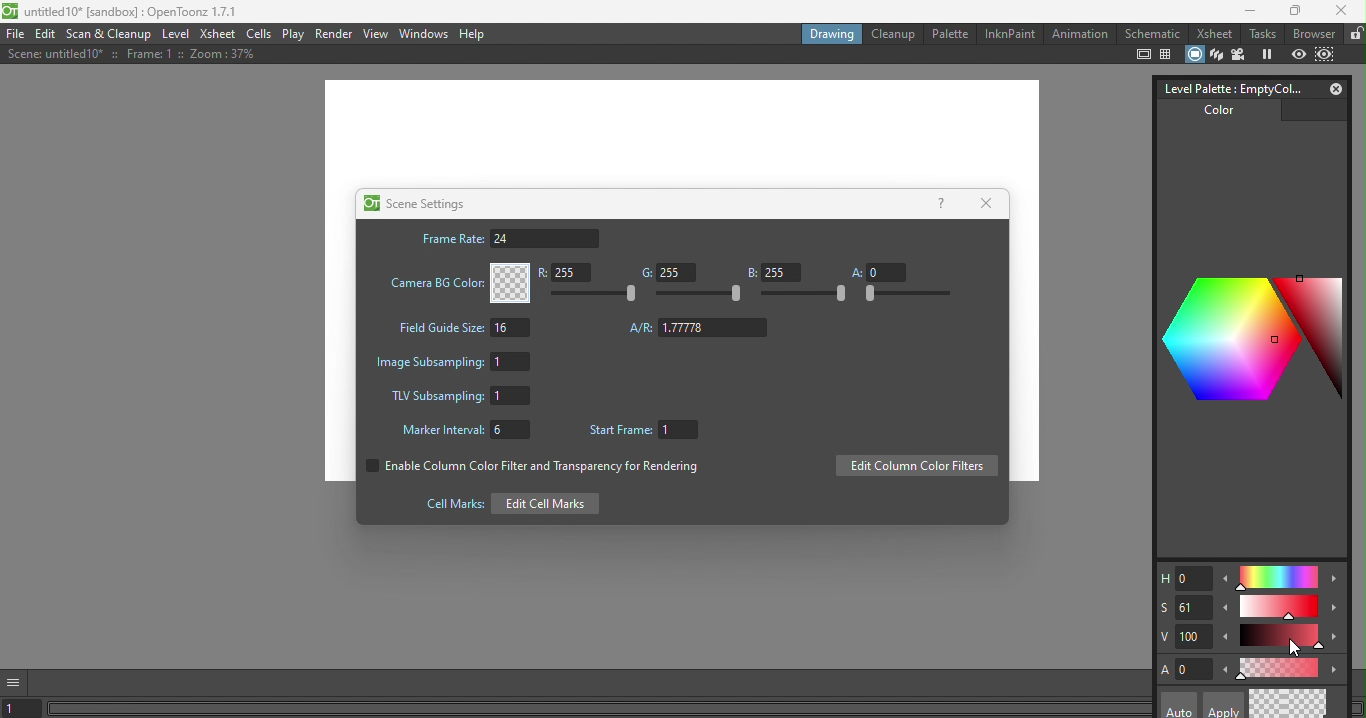  Describe the element at coordinates (600, 710) in the screenshot. I see `Horizontal scroll bar` at that location.